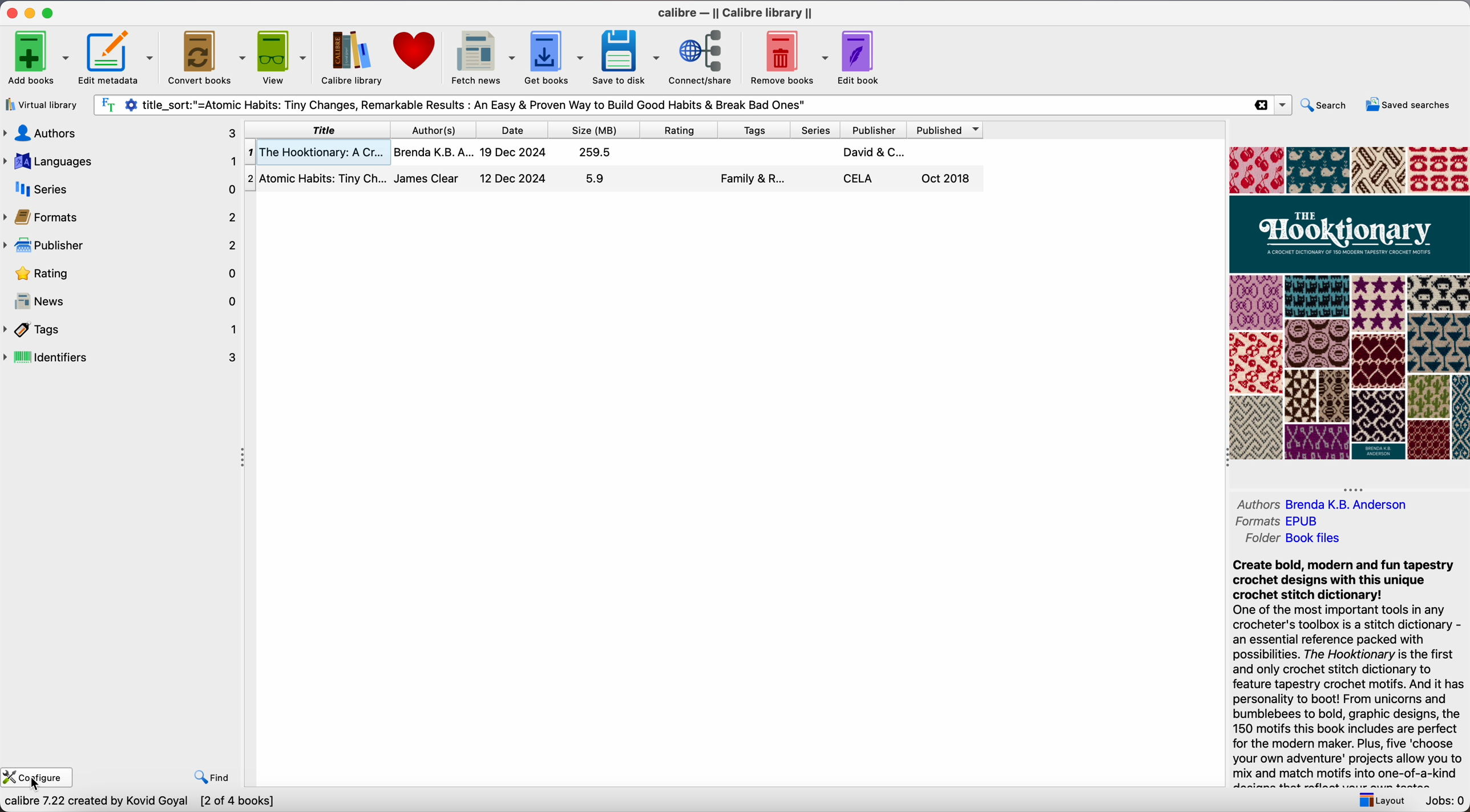 Image resolution: width=1470 pixels, height=812 pixels. What do you see at coordinates (556, 56) in the screenshot?
I see `get books` at bounding box center [556, 56].